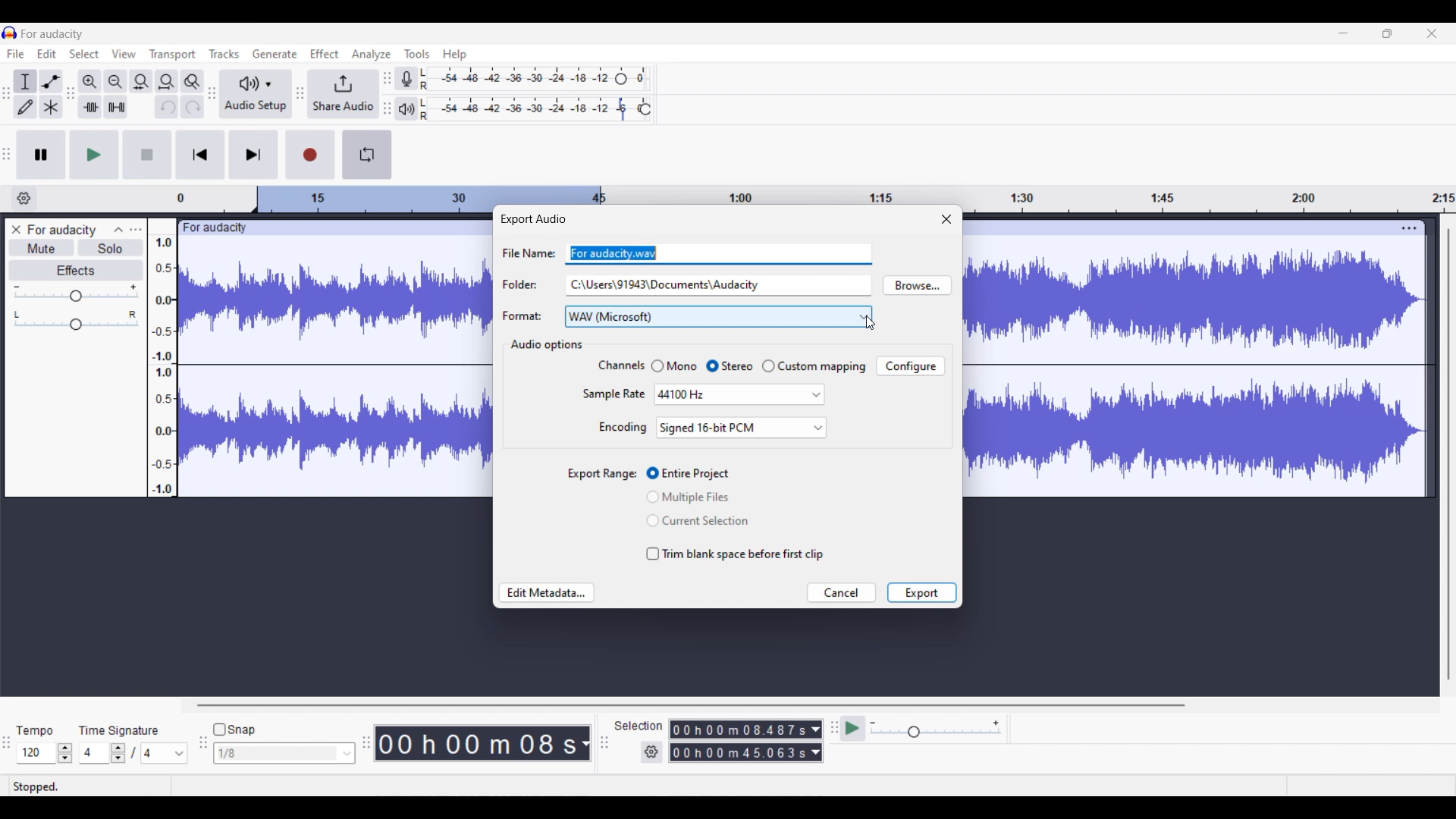 The image size is (1456, 819). I want to click on Zoom in, so click(89, 82).